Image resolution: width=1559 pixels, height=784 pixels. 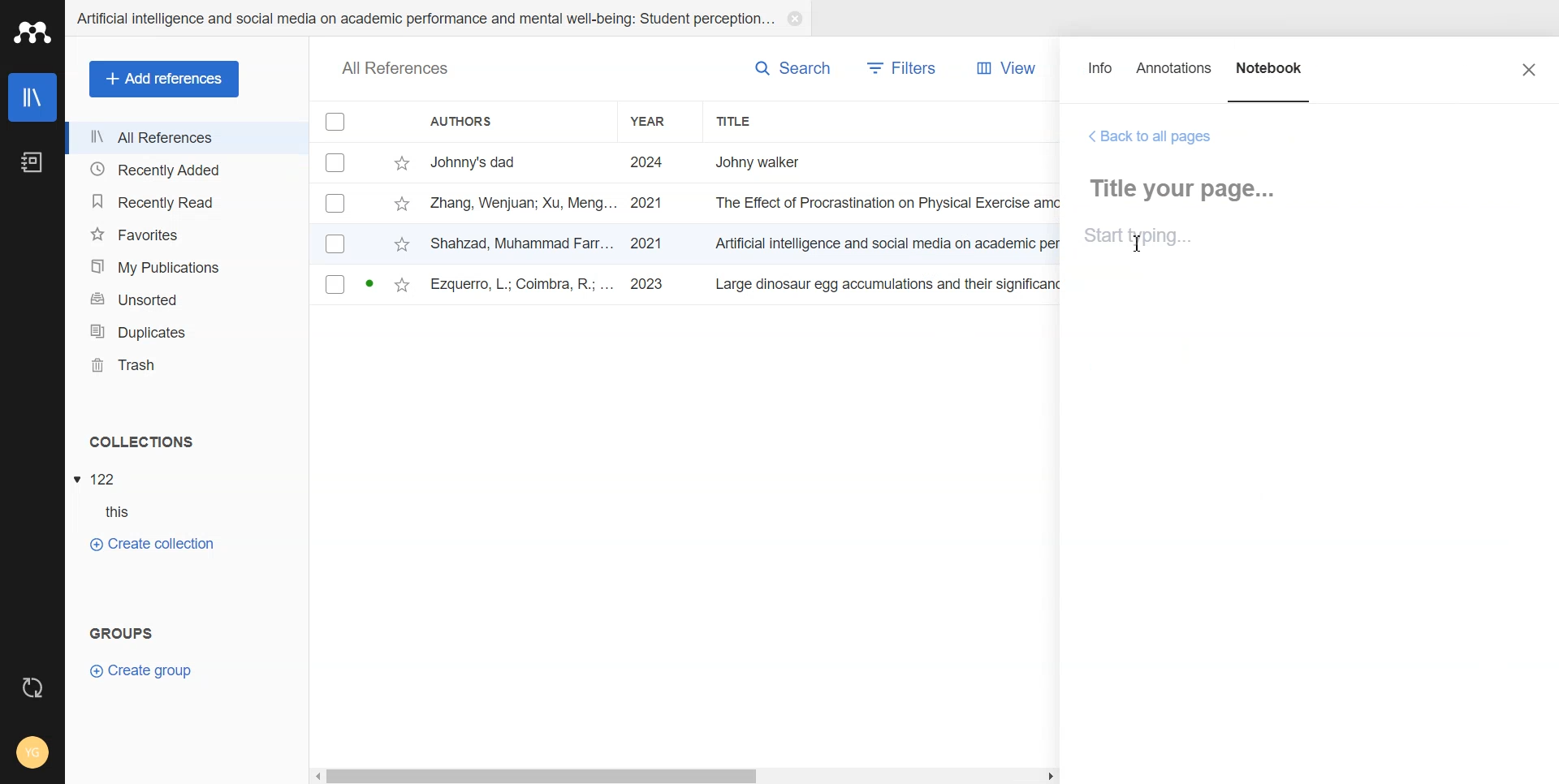 I want to click on Notebook, so click(x=1271, y=75).